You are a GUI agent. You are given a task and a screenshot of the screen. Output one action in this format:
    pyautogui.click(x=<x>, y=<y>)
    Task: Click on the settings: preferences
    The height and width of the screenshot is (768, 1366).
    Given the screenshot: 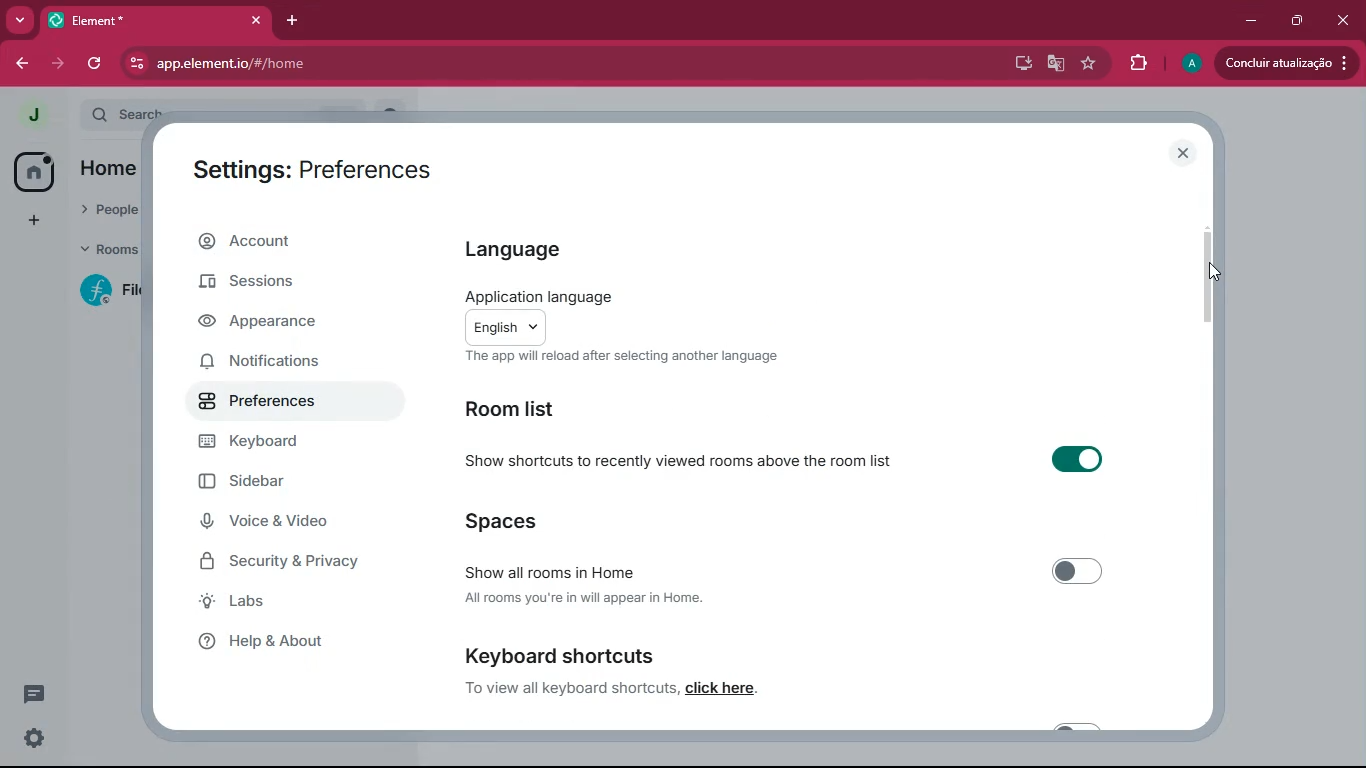 What is the action you would take?
    pyautogui.click(x=318, y=170)
    